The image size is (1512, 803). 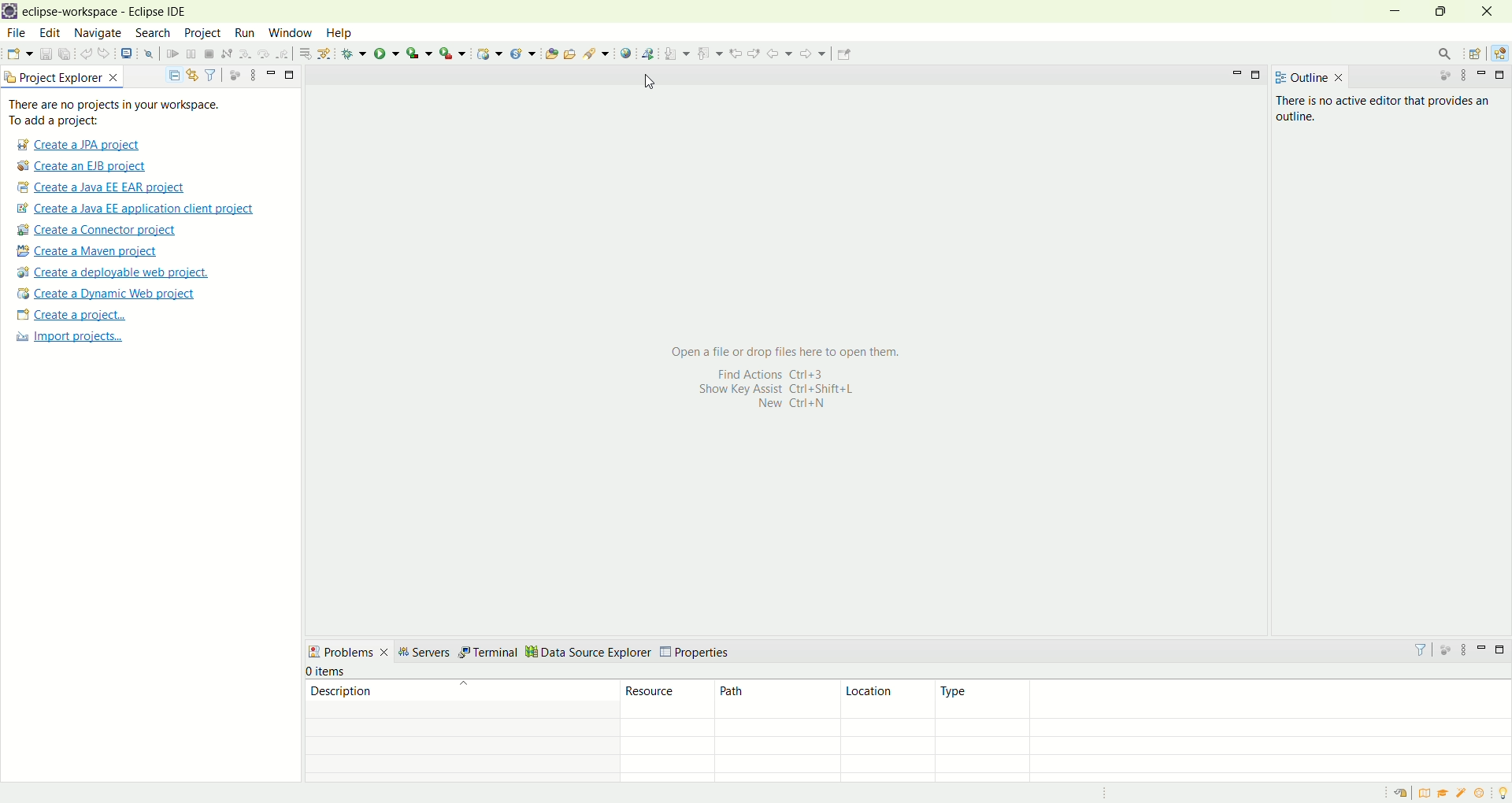 I want to click on use step filters, so click(x=325, y=53).